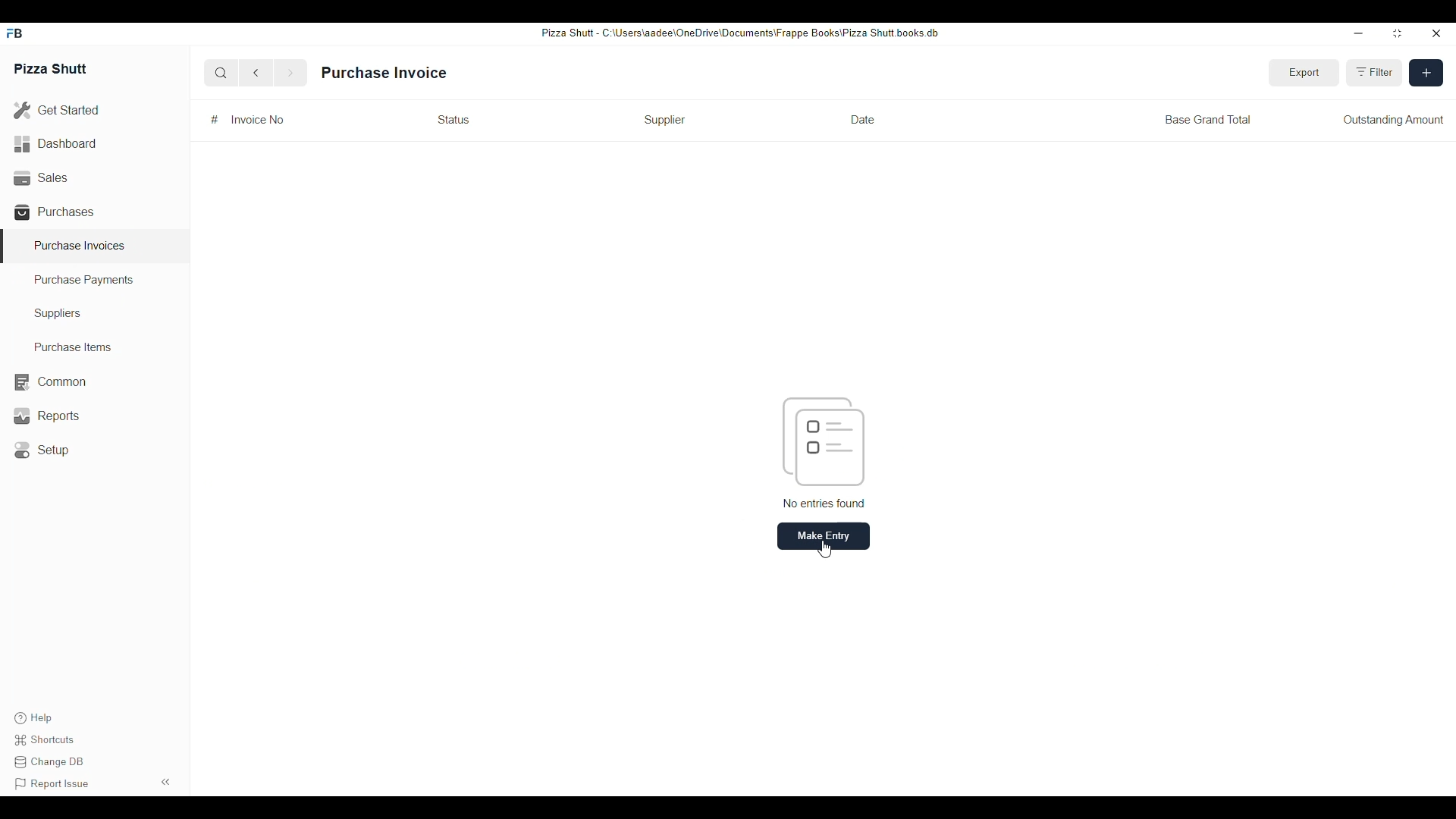  I want to click on Setup, so click(45, 450).